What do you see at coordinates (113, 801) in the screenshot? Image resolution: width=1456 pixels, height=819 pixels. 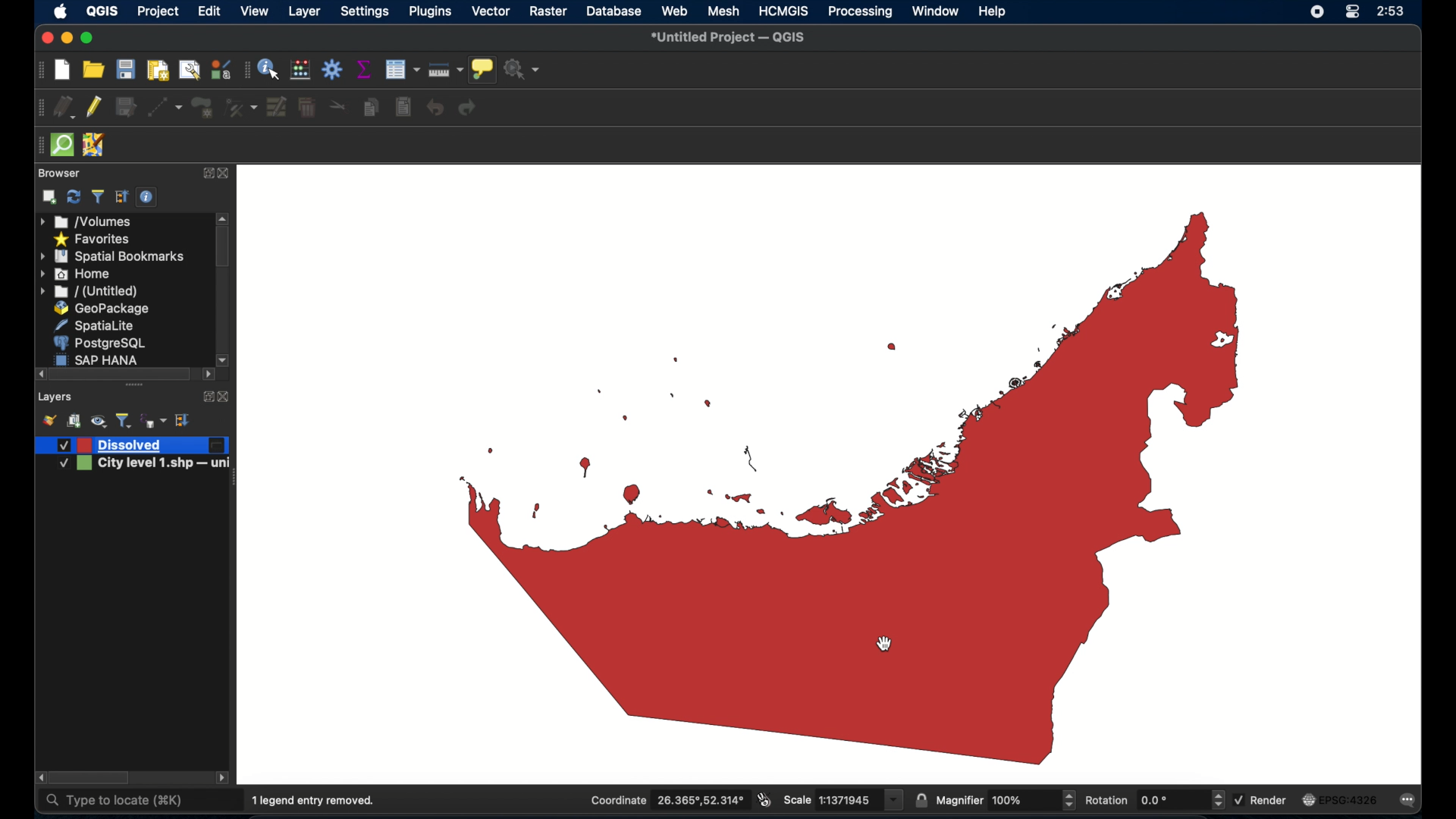 I see `type to locate` at bounding box center [113, 801].